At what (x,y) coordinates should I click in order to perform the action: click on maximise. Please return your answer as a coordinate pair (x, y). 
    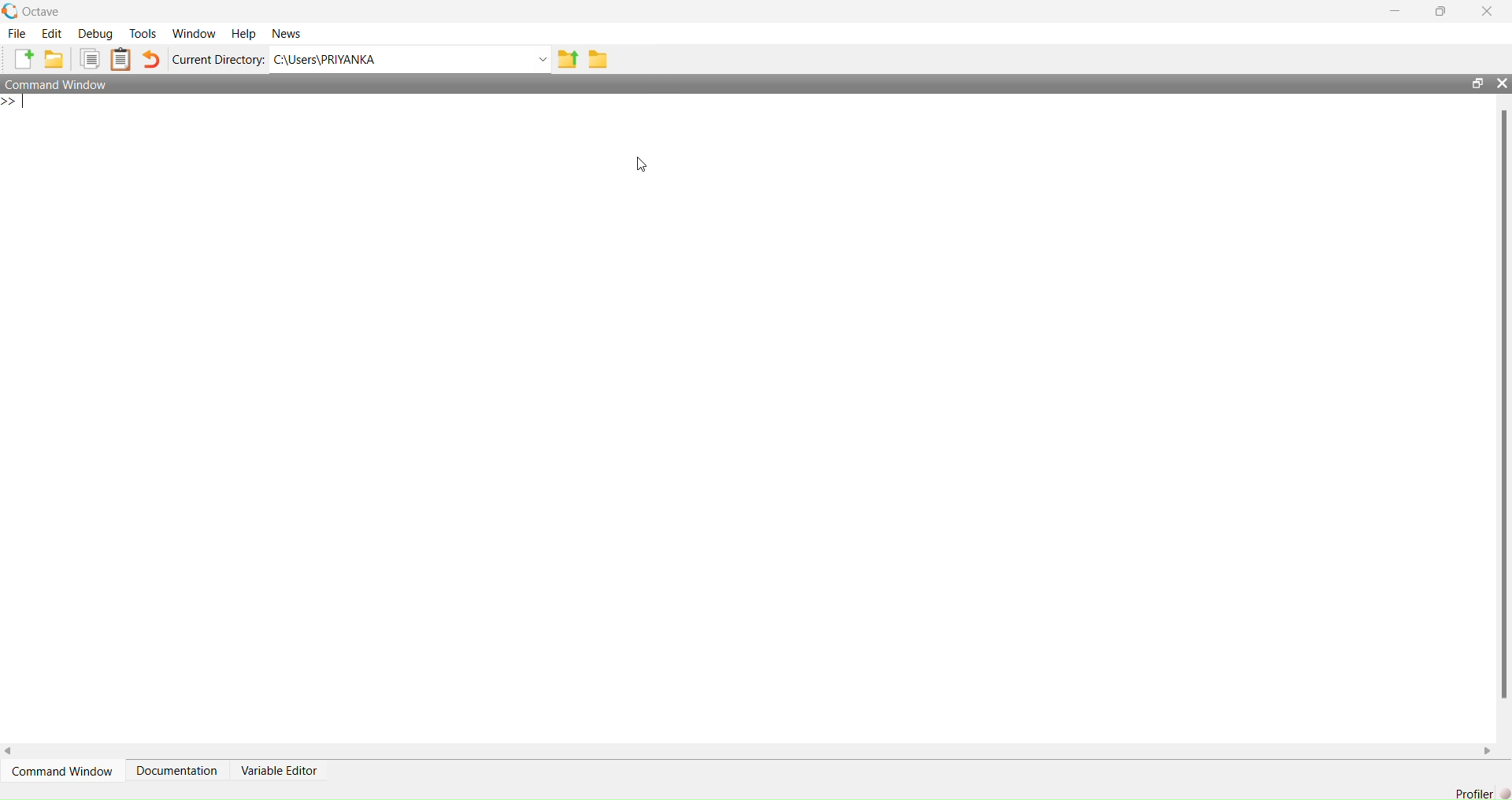
    Looking at the image, I should click on (1443, 11).